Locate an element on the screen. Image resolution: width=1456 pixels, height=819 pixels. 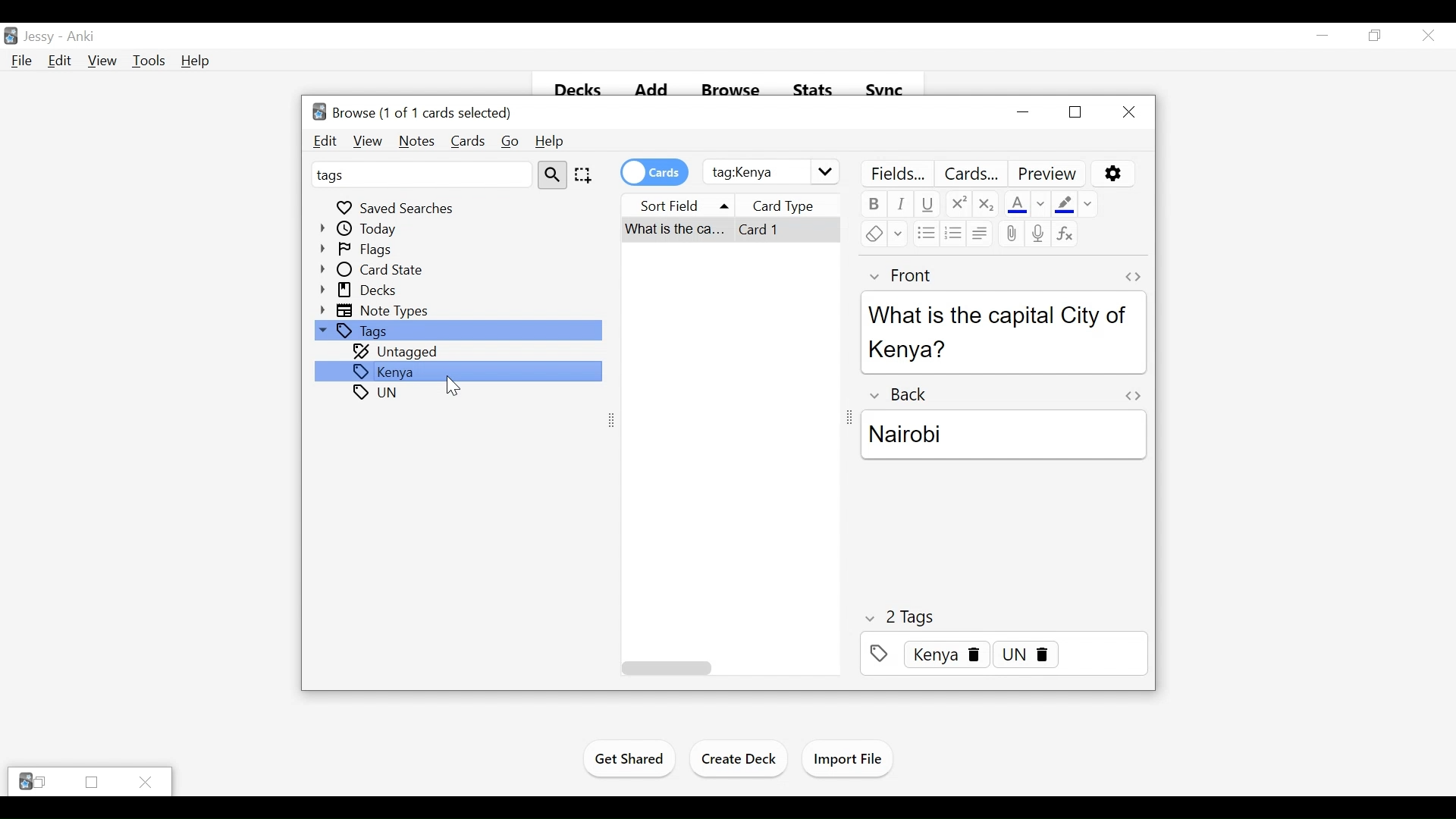
Number of Tags is located at coordinates (903, 618).